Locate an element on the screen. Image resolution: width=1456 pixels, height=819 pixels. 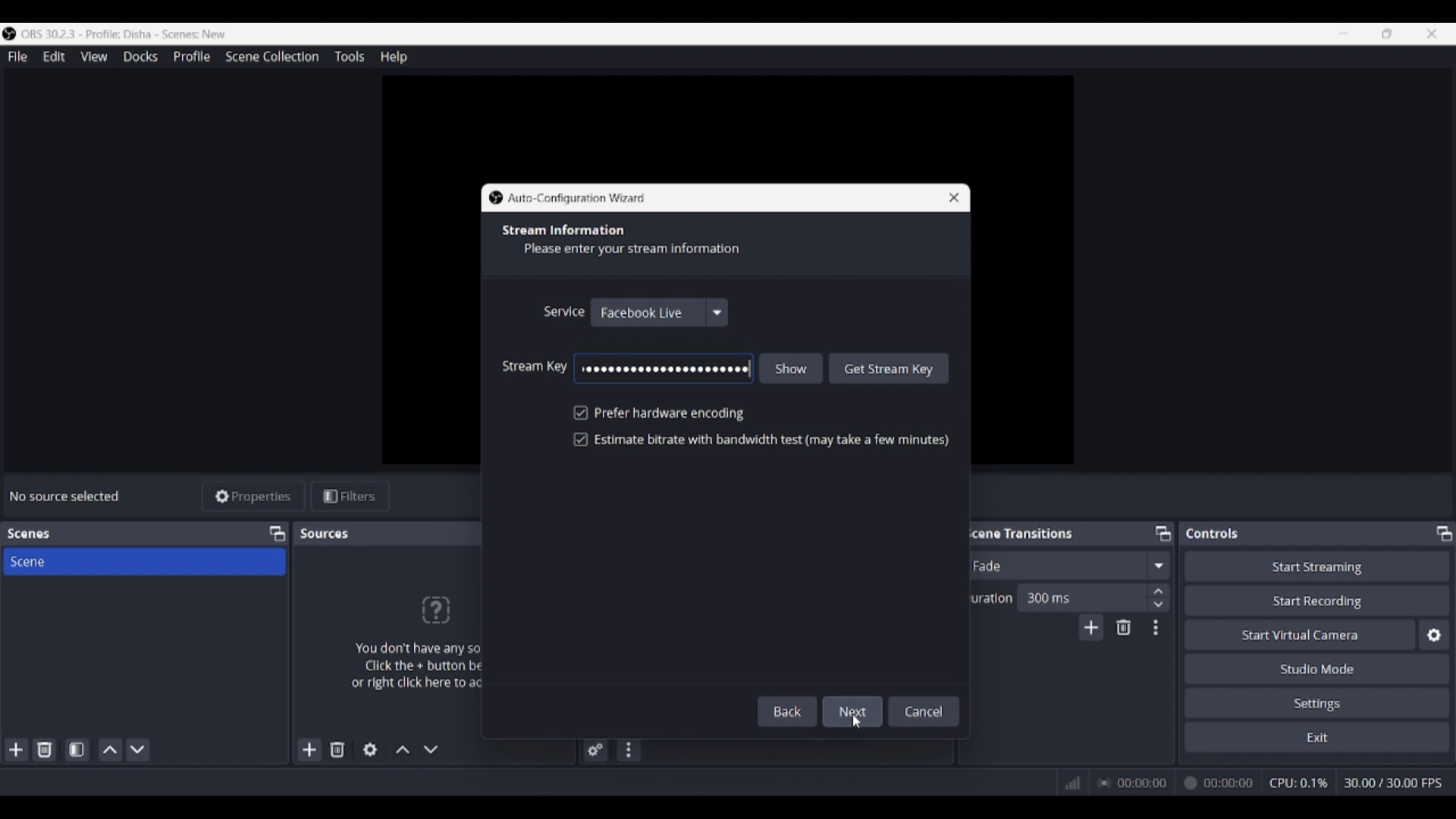
Tools menu is located at coordinates (349, 56).